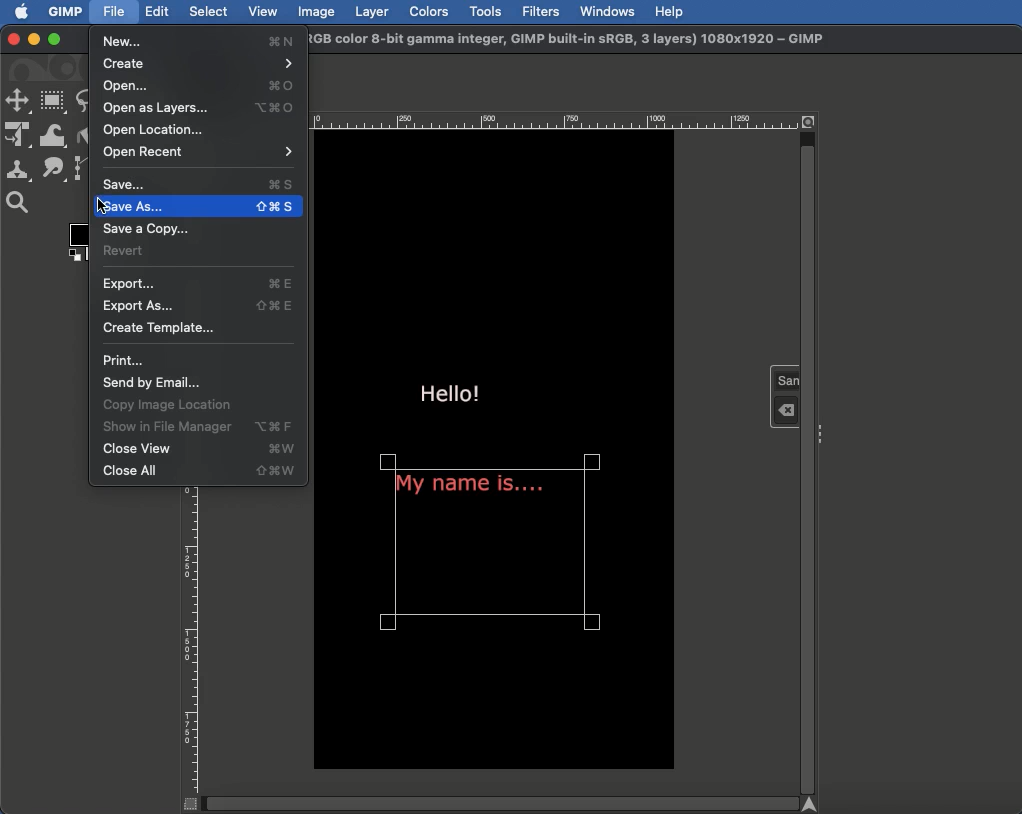  I want to click on Export as, so click(197, 305).